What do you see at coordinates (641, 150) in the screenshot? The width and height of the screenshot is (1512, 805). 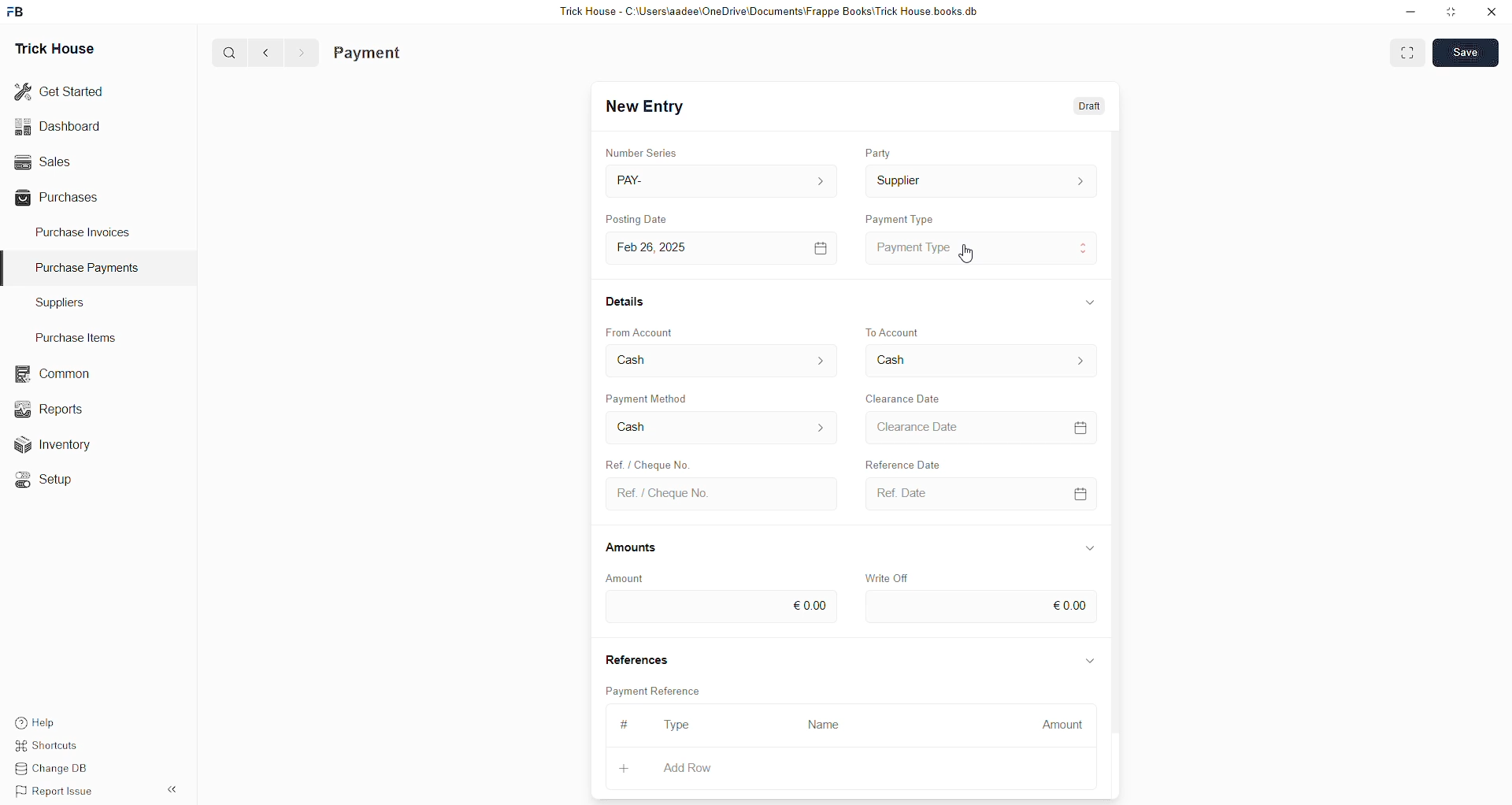 I see `Number Series` at bounding box center [641, 150].